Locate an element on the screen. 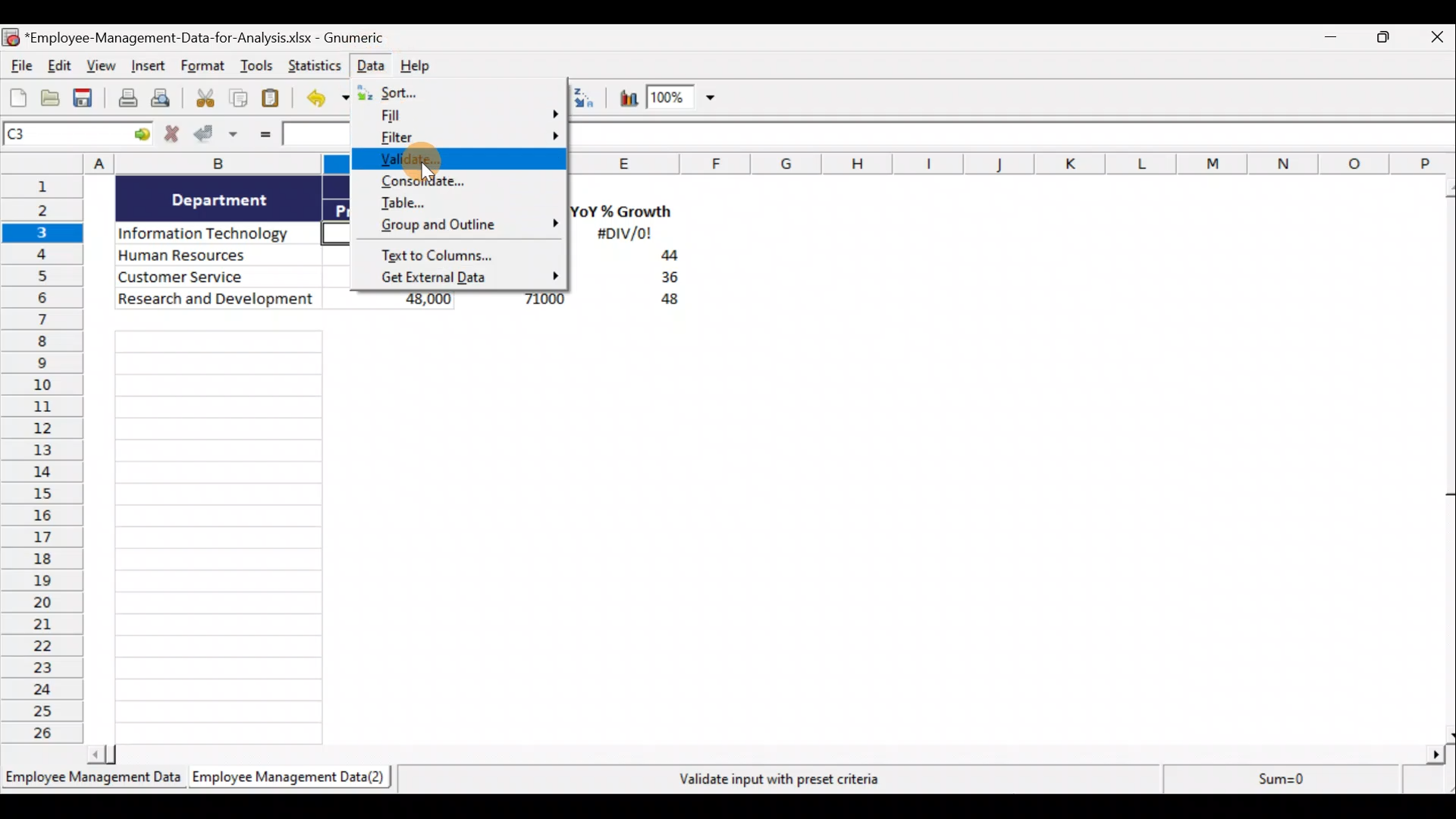  Paste clipboard is located at coordinates (275, 99).